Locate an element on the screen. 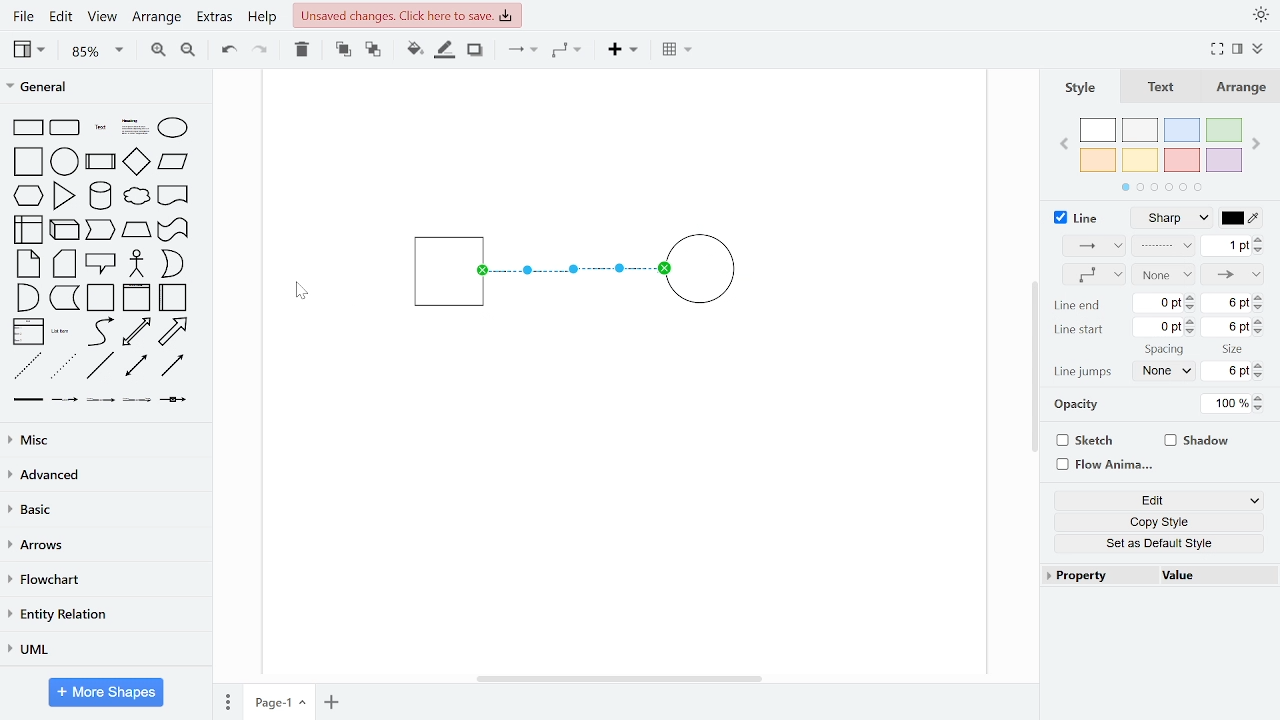  horizontal container is located at coordinates (174, 297).